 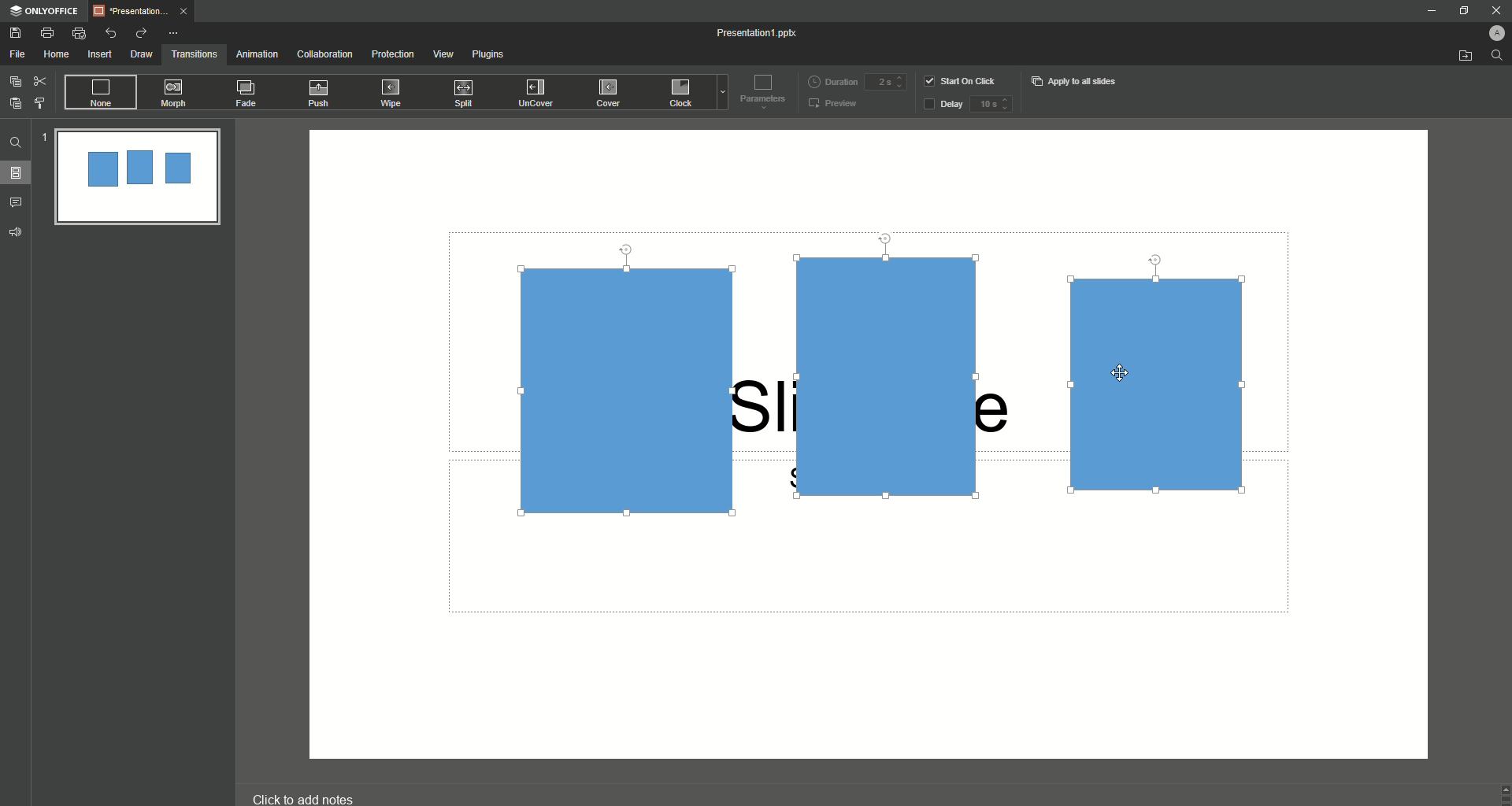 I want to click on Choose Style, so click(x=40, y=103).